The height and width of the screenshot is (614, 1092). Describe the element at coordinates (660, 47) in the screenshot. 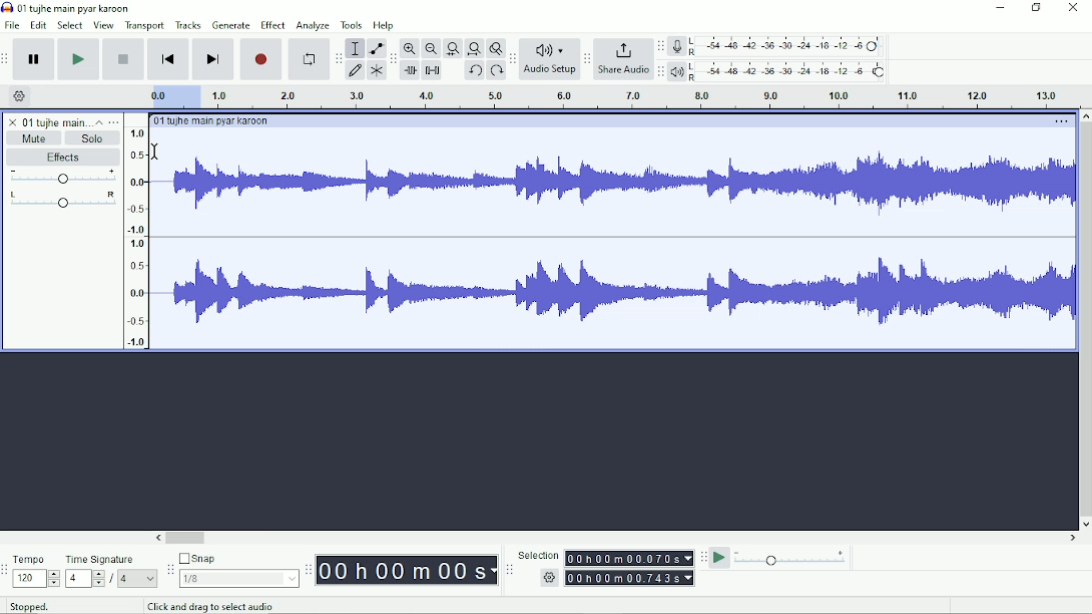

I see `Audacity recording meter toolbar` at that location.